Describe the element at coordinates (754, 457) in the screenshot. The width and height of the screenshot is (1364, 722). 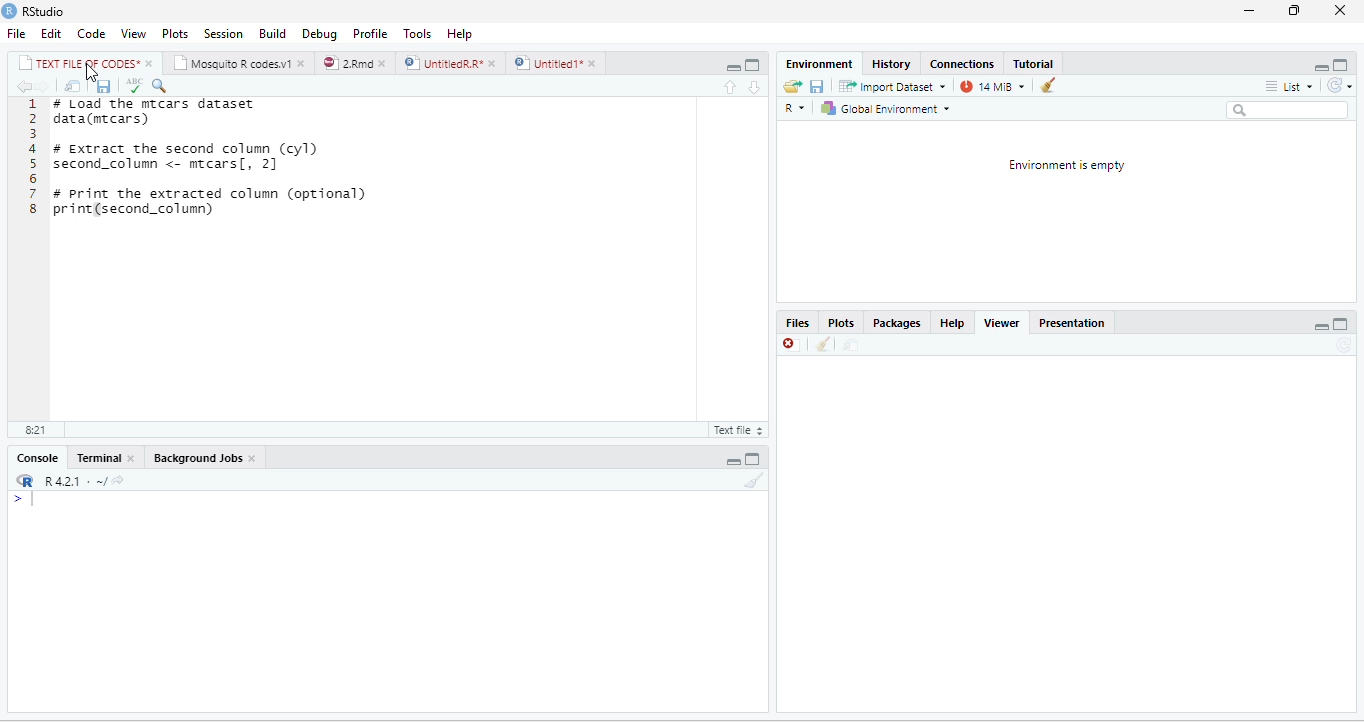
I see `maximize` at that location.